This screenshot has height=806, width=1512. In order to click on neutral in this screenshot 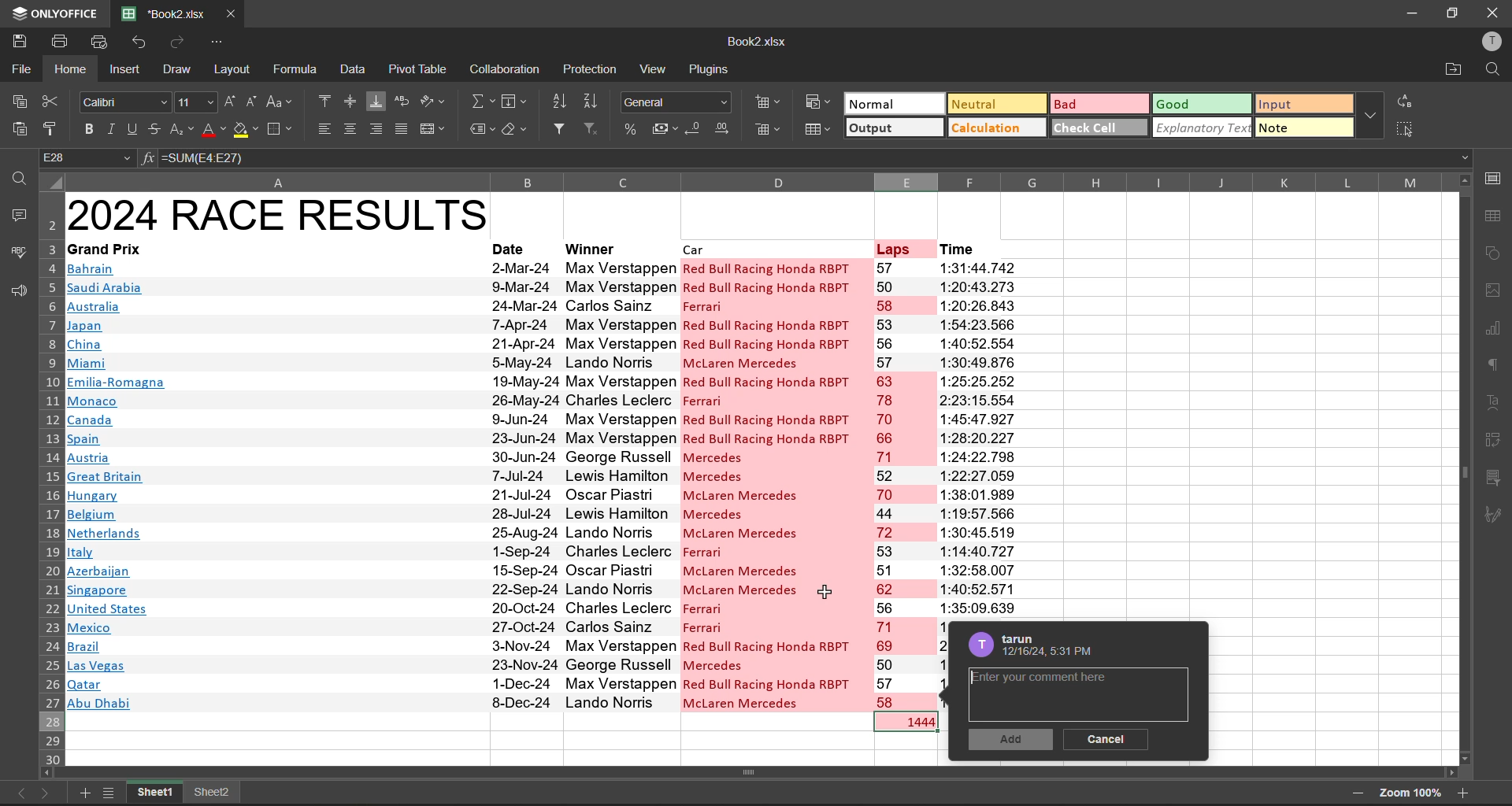, I will do `click(993, 105)`.